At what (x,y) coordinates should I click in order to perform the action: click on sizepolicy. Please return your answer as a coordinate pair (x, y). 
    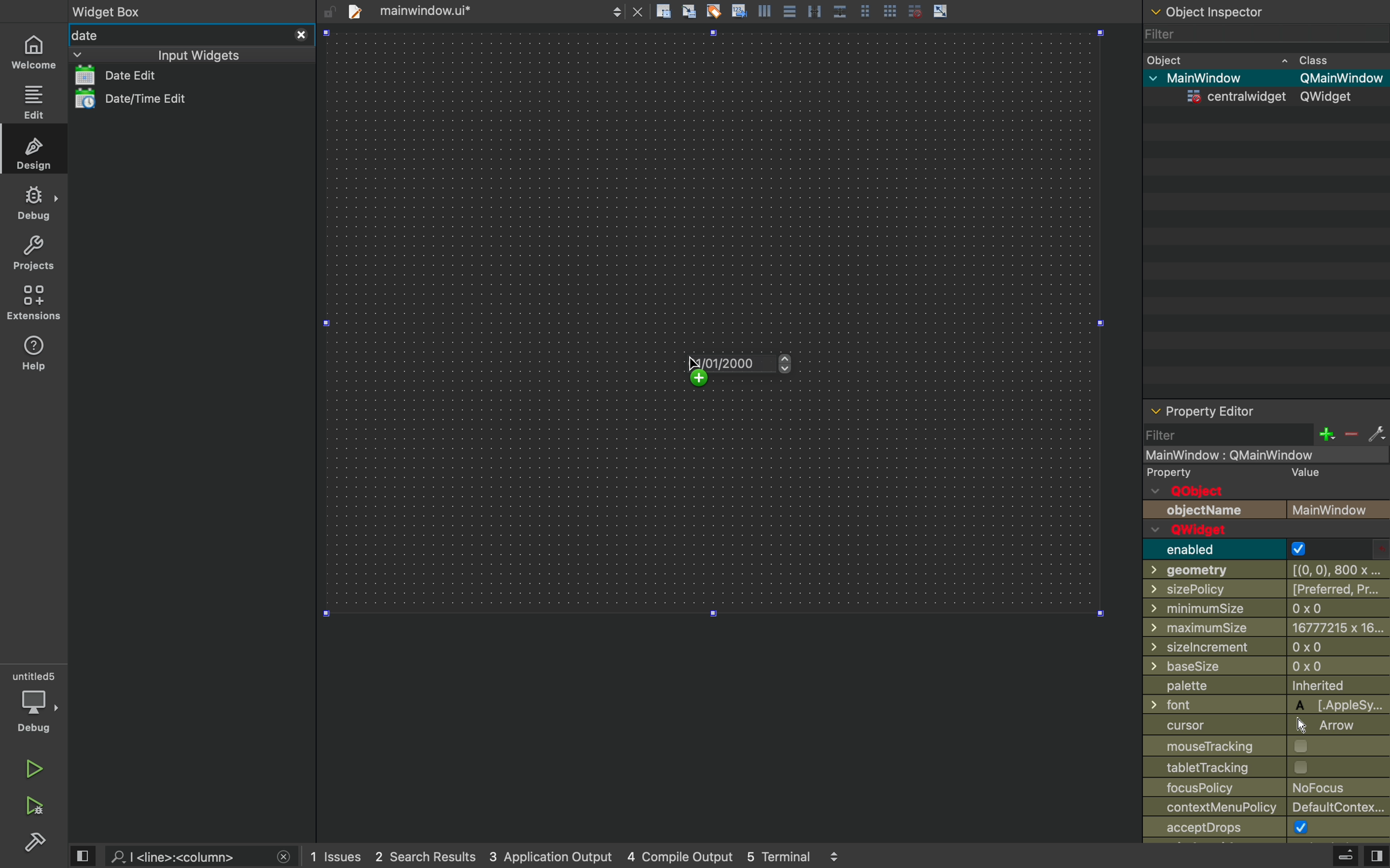
    Looking at the image, I should click on (1262, 590).